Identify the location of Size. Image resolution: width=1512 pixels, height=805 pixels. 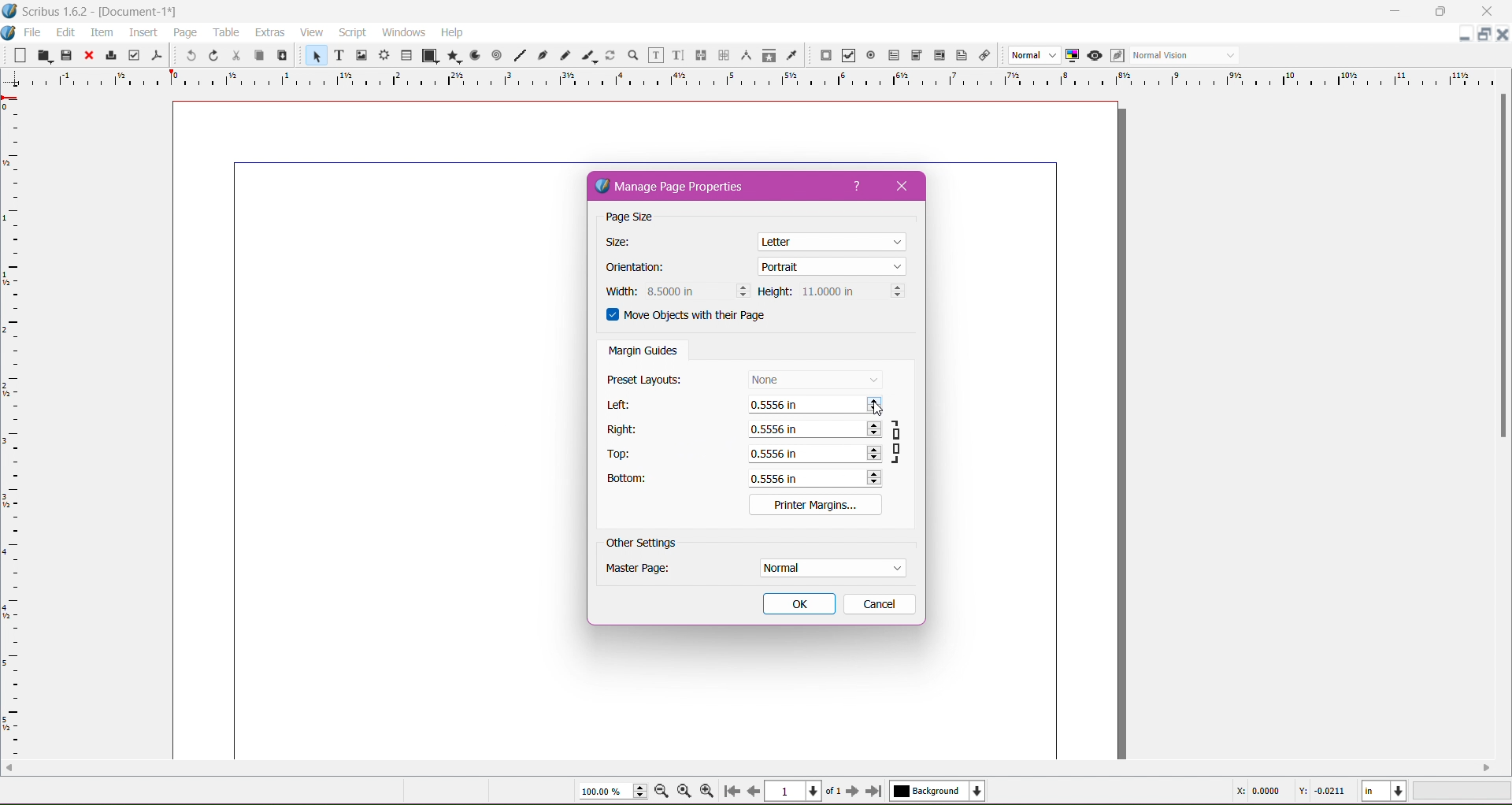
(625, 243).